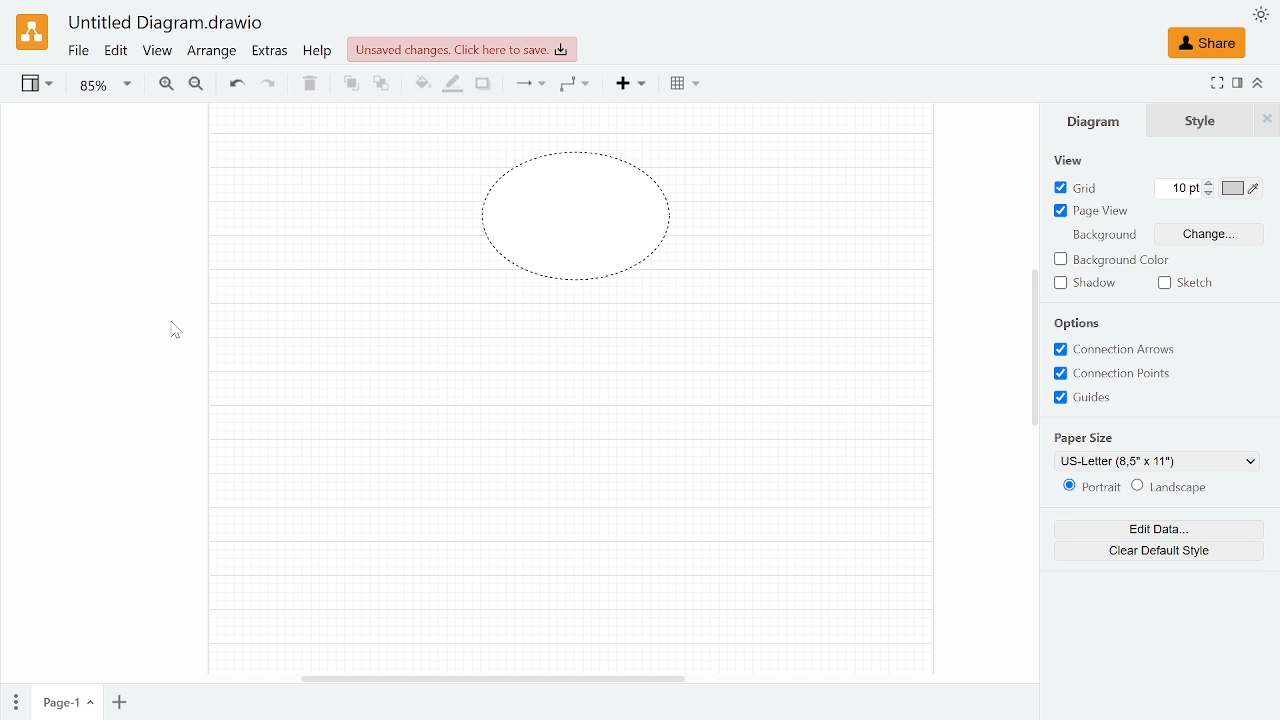  I want to click on Zoom, so click(103, 85).